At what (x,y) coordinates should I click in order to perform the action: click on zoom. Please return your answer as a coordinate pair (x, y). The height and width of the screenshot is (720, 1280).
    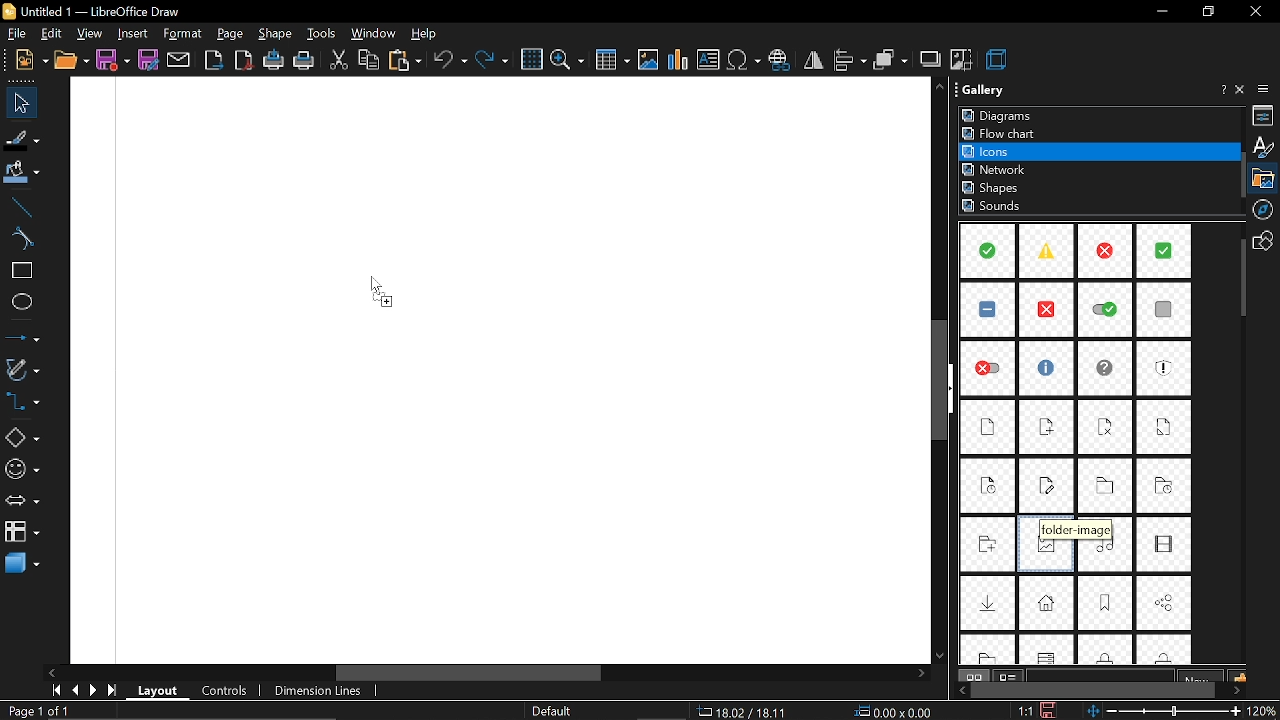
    Looking at the image, I should click on (567, 61).